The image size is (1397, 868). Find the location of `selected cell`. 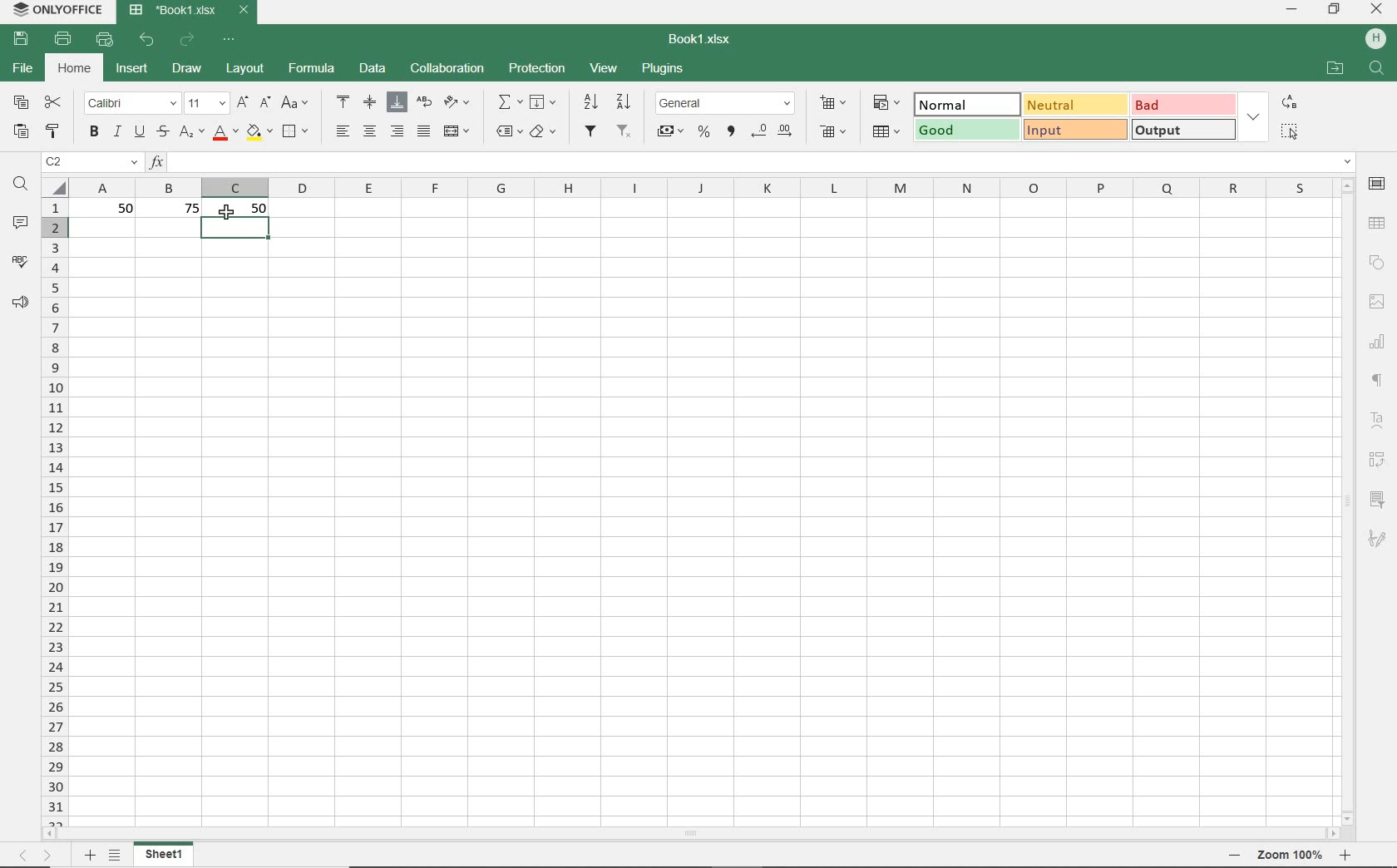

selected cell is located at coordinates (236, 229).